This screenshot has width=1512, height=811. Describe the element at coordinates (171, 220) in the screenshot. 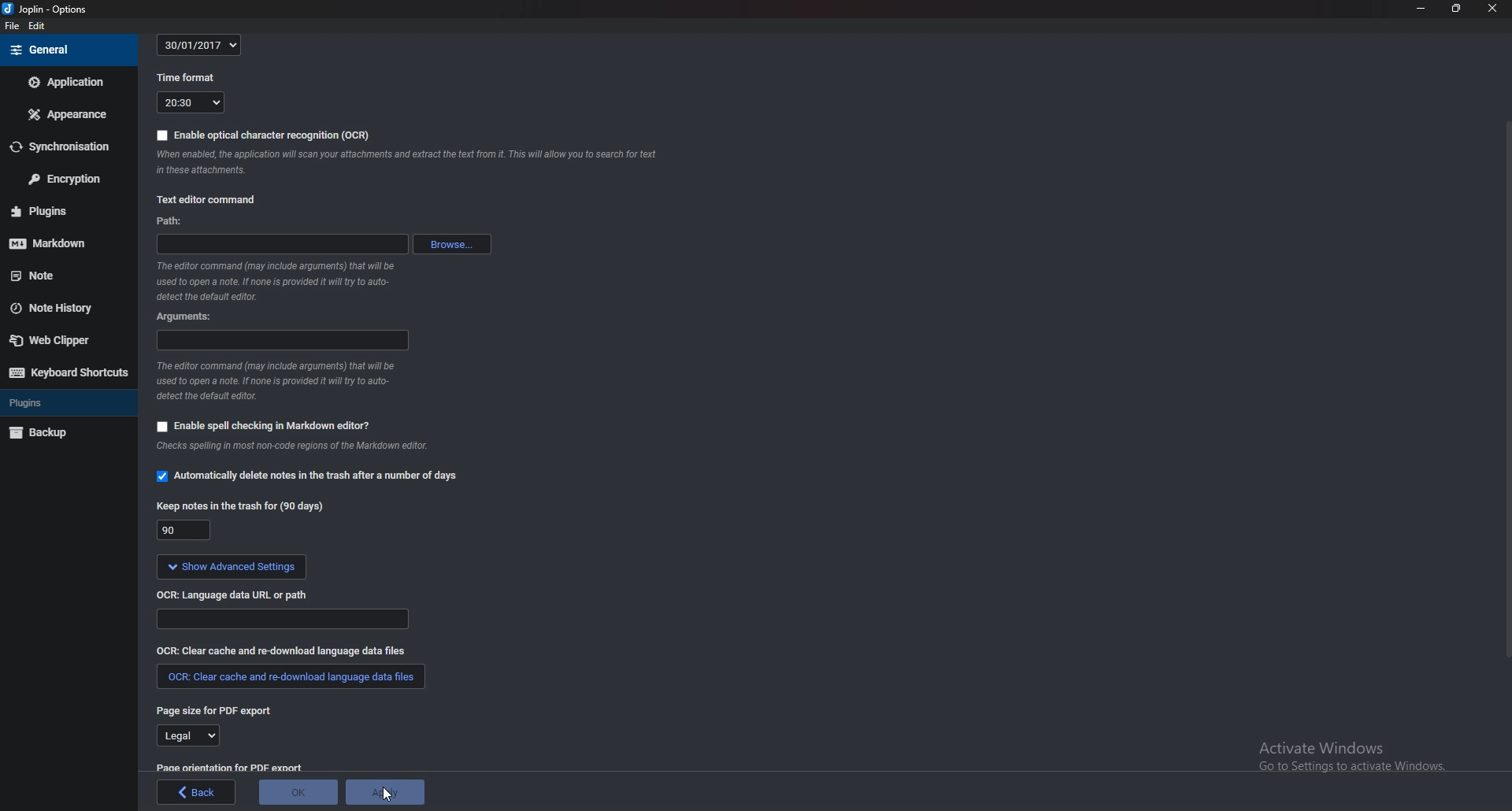

I see `path` at that location.